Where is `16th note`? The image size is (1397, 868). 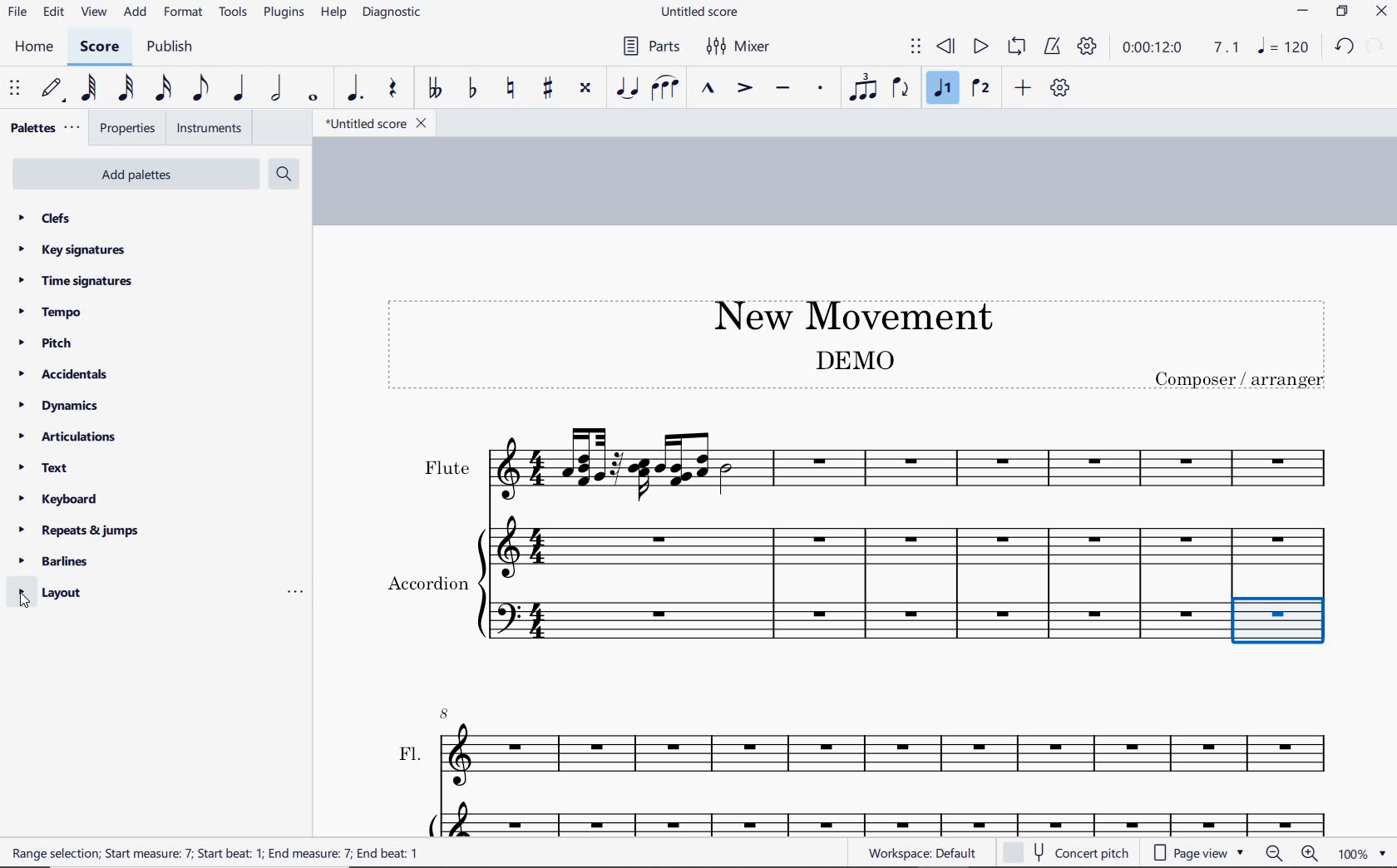 16th note is located at coordinates (164, 89).